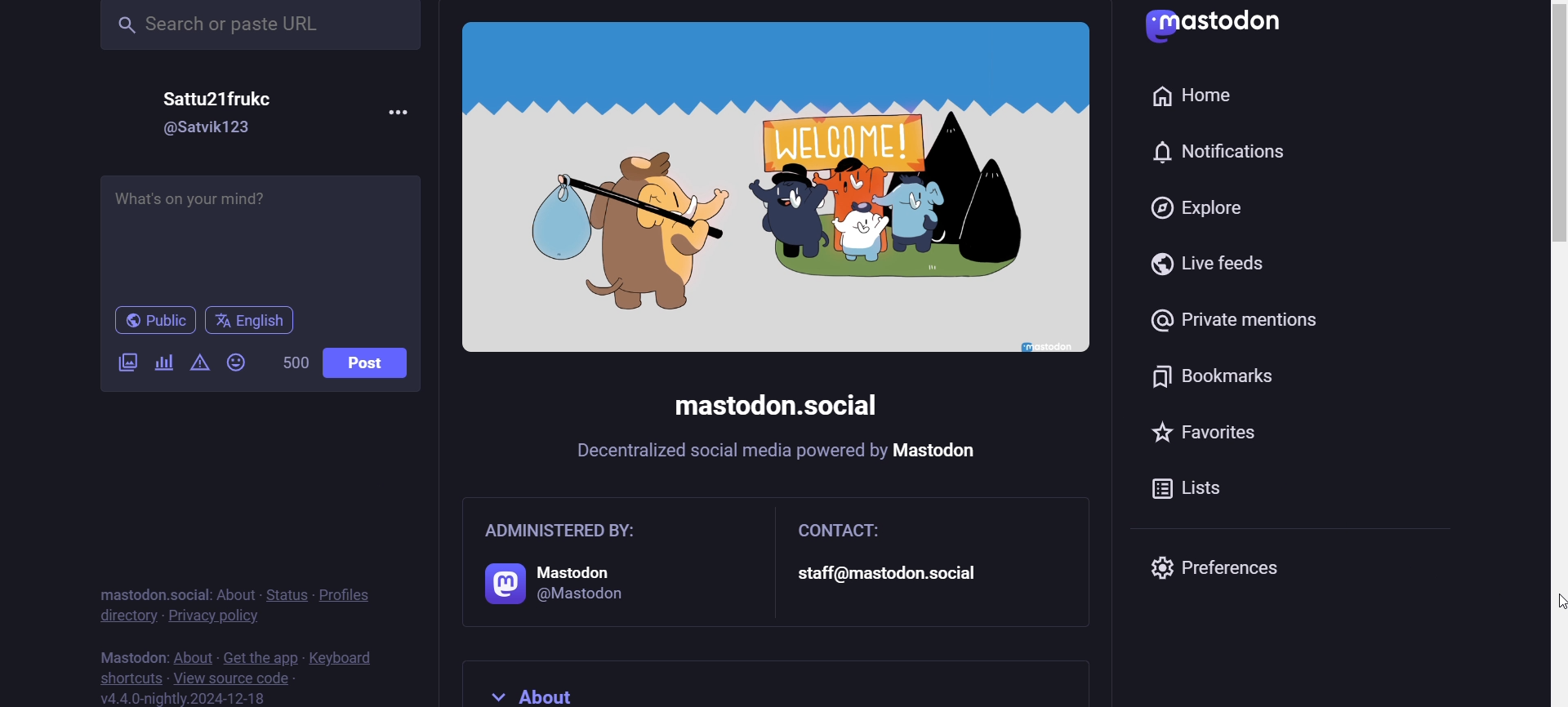 The height and width of the screenshot is (707, 1568). What do you see at coordinates (259, 233) in the screenshot?
I see `post here` at bounding box center [259, 233].